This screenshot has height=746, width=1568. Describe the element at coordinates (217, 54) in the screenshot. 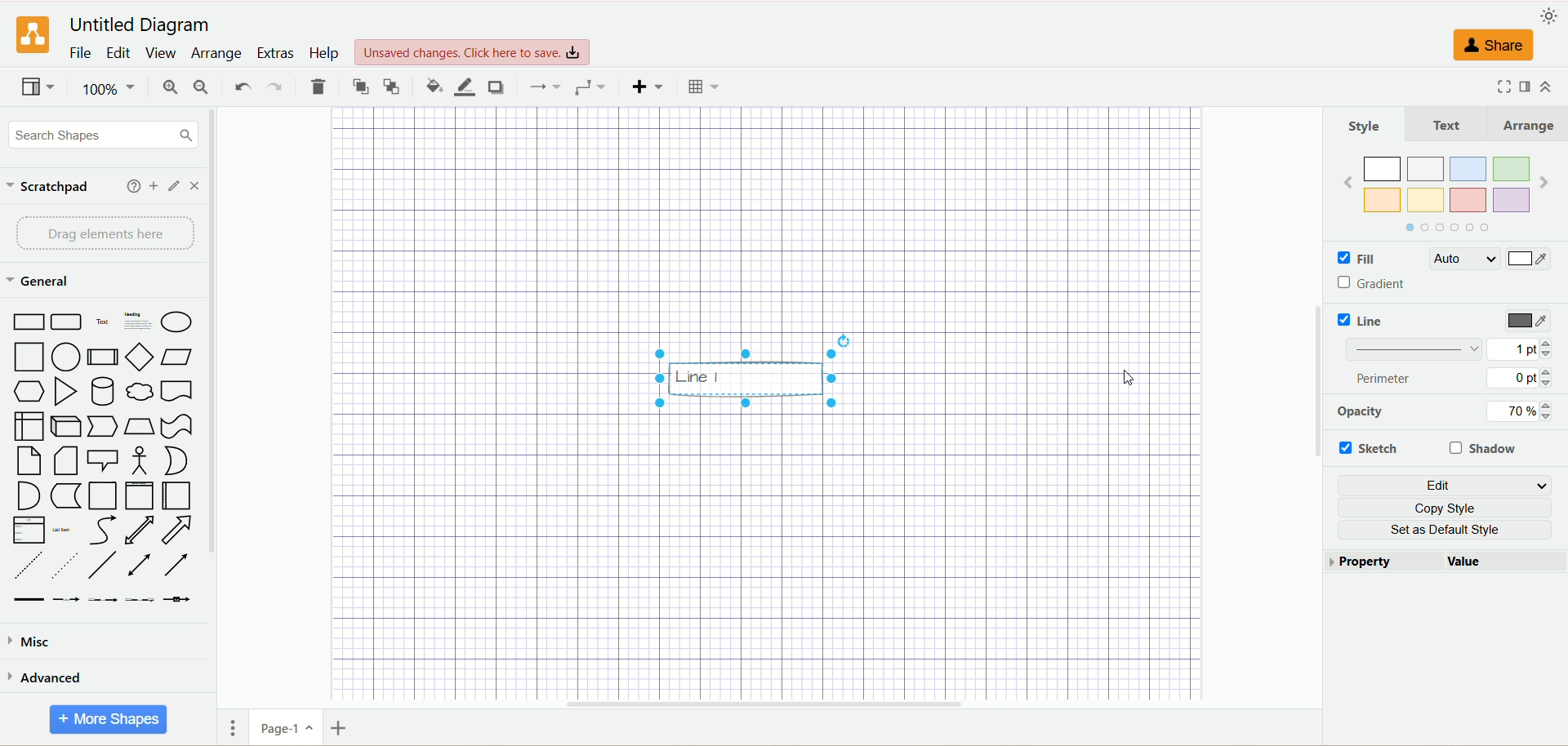

I see `arrange` at that location.